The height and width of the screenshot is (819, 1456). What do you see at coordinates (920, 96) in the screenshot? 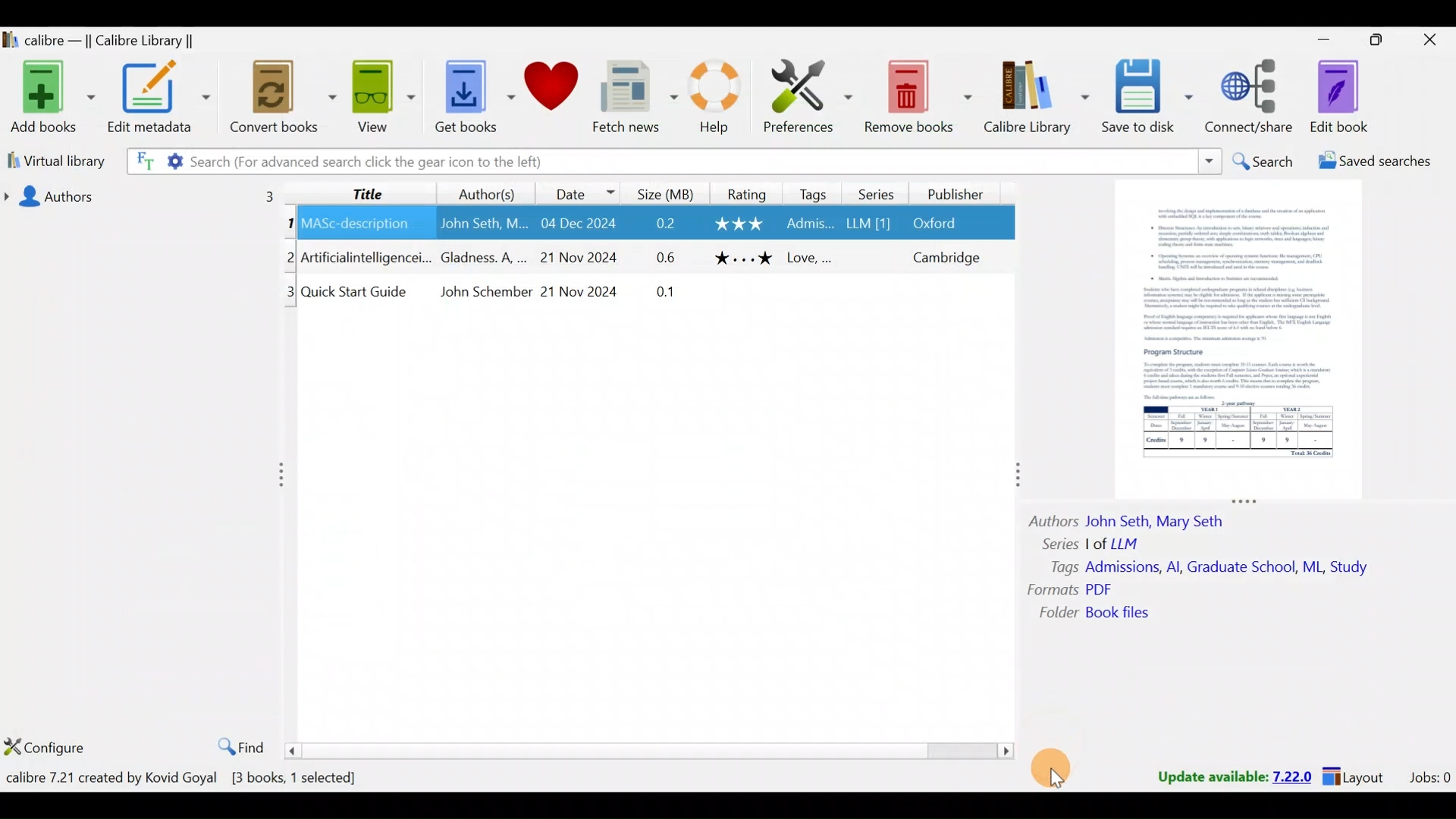
I see `Remove books` at bounding box center [920, 96].